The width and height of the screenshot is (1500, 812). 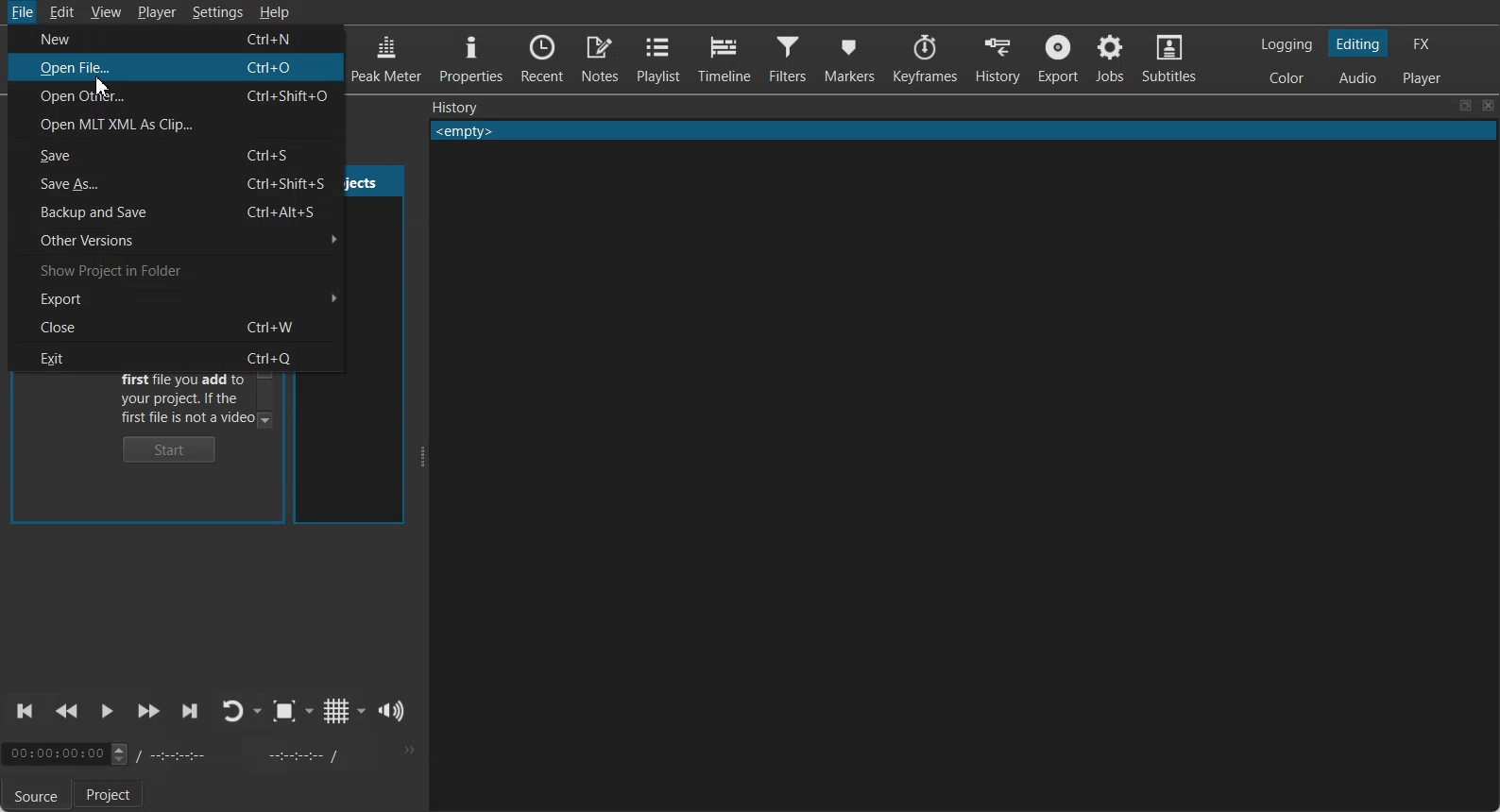 I want to click on View, so click(x=107, y=12).